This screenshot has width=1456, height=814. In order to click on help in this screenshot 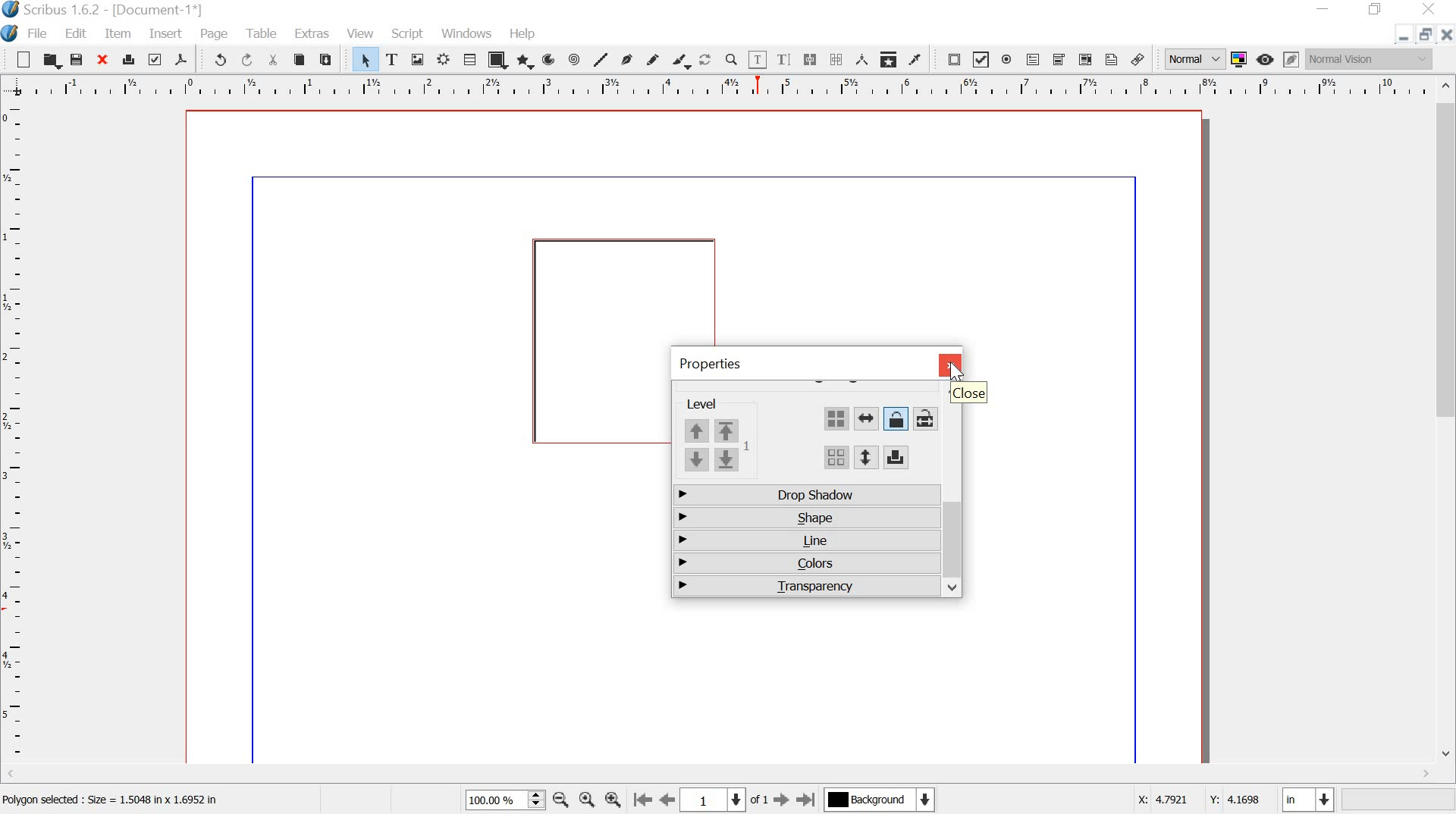, I will do `click(525, 35)`.